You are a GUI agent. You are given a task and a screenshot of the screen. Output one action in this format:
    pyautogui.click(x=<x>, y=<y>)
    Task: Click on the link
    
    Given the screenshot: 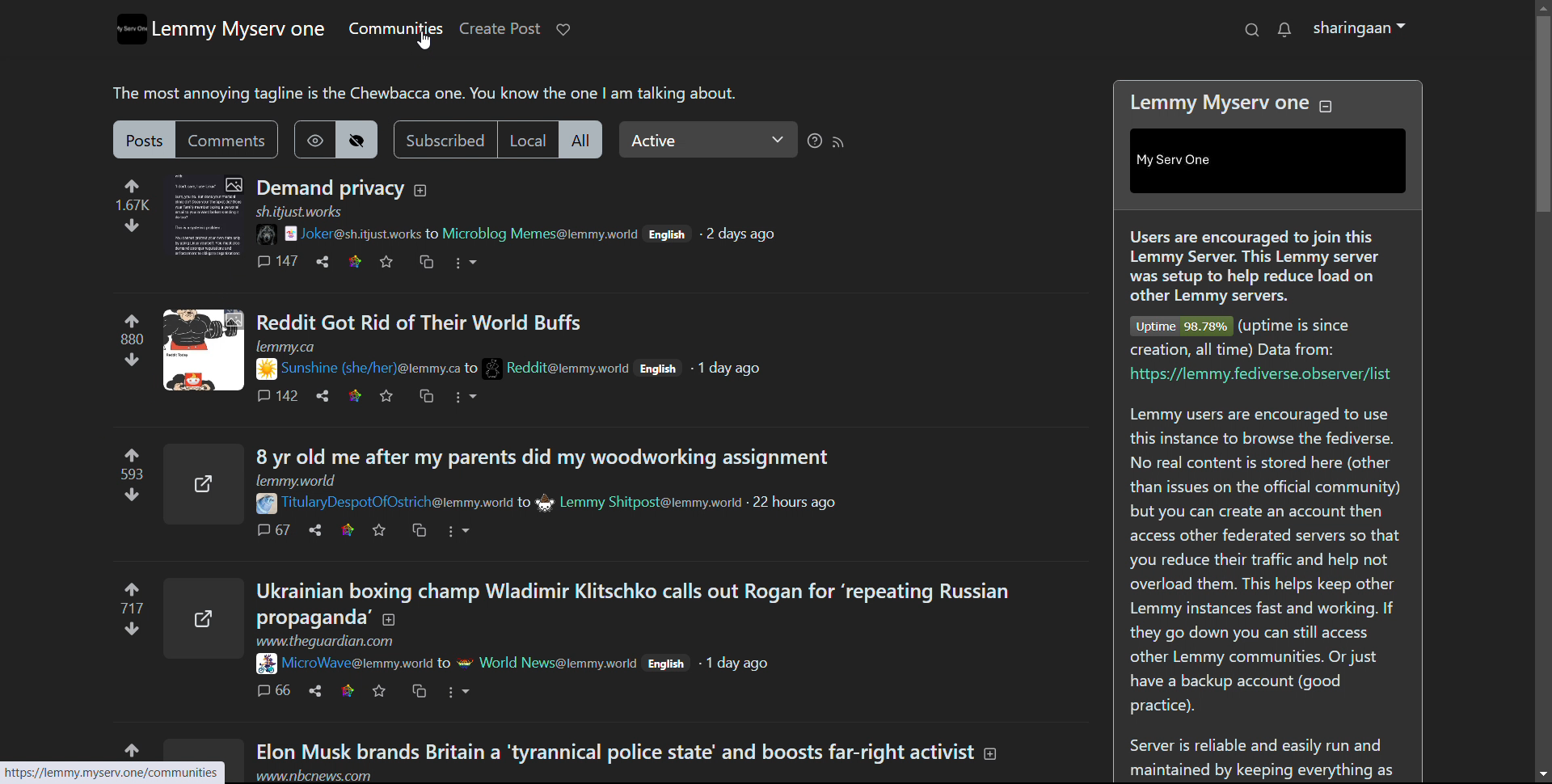 What is the action you would take?
    pyautogui.click(x=355, y=262)
    